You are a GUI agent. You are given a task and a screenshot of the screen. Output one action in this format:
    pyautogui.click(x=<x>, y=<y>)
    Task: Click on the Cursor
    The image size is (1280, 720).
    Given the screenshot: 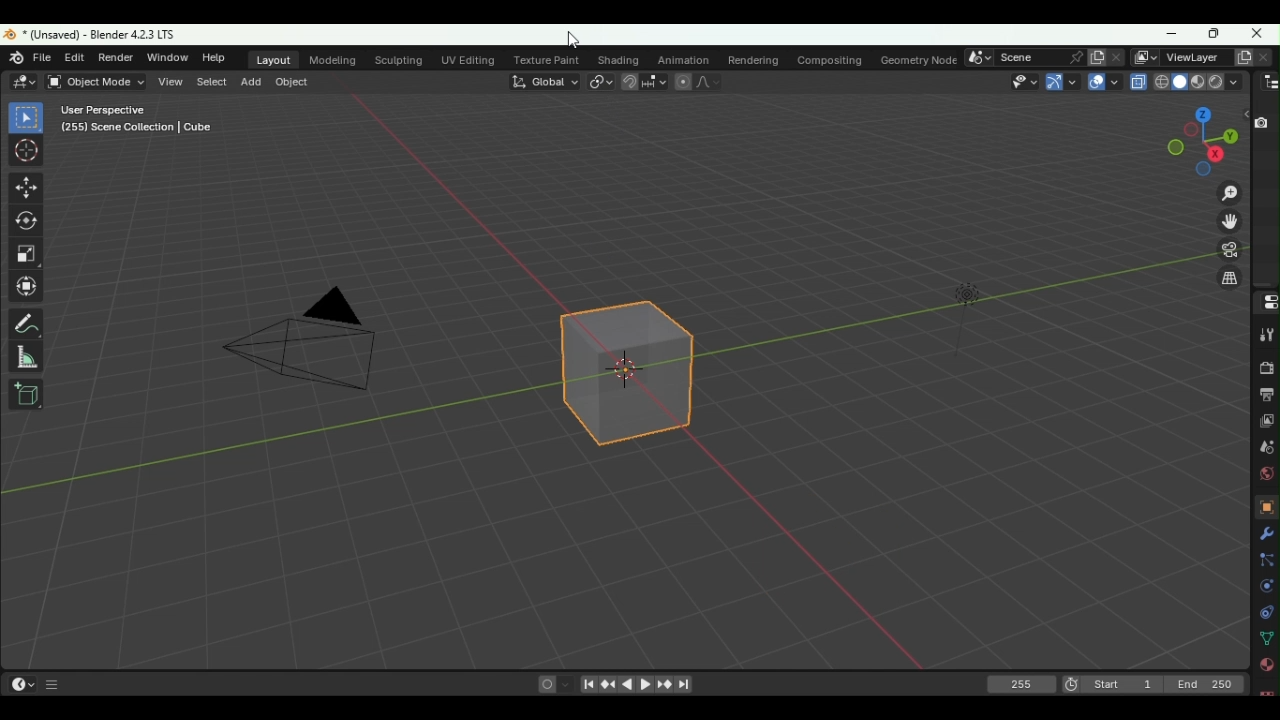 What is the action you would take?
    pyautogui.click(x=28, y=150)
    